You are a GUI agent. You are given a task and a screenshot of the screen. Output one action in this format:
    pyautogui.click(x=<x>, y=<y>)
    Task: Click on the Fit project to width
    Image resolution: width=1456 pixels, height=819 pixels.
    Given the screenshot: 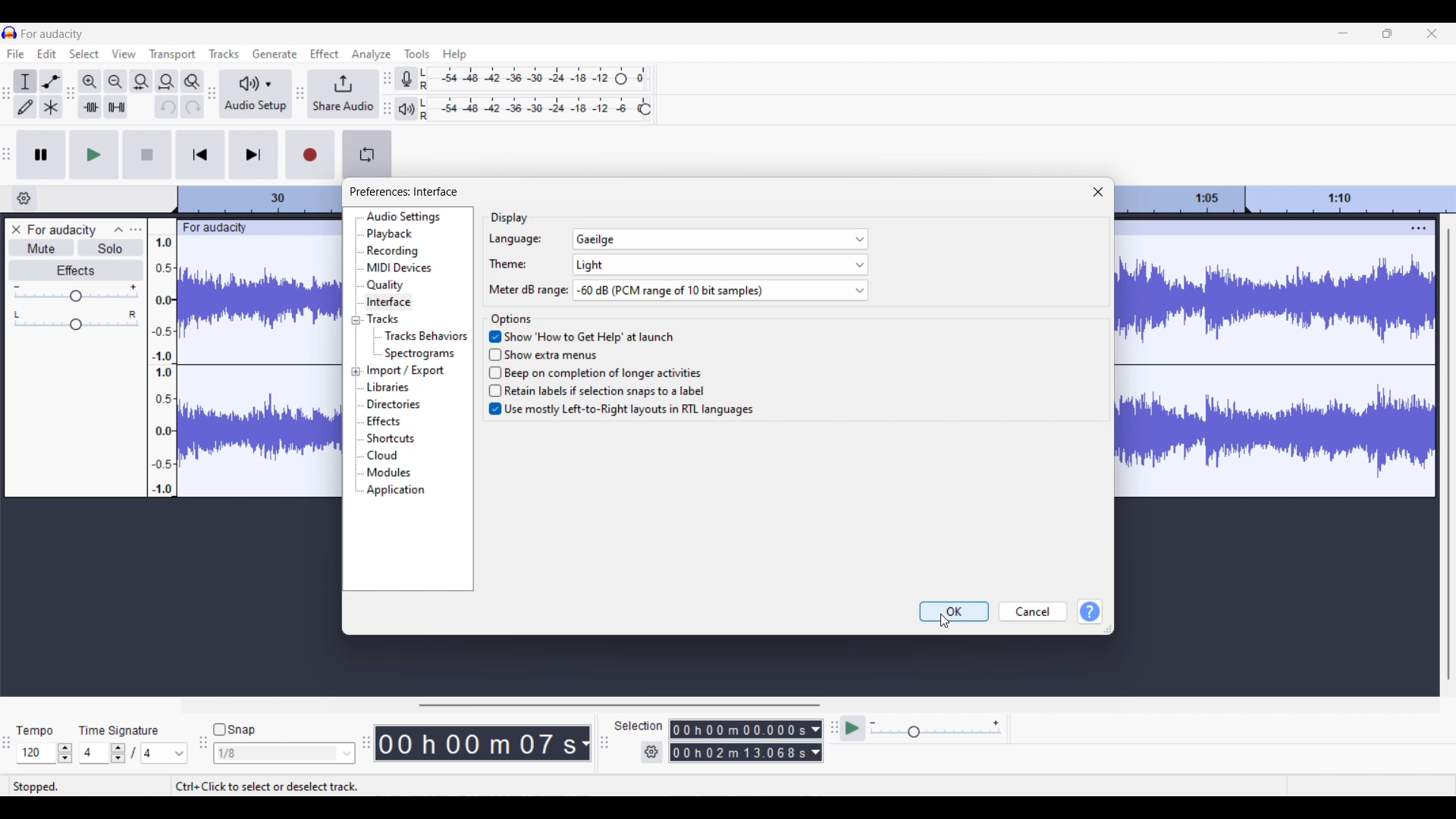 What is the action you would take?
    pyautogui.click(x=167, y=82)
    